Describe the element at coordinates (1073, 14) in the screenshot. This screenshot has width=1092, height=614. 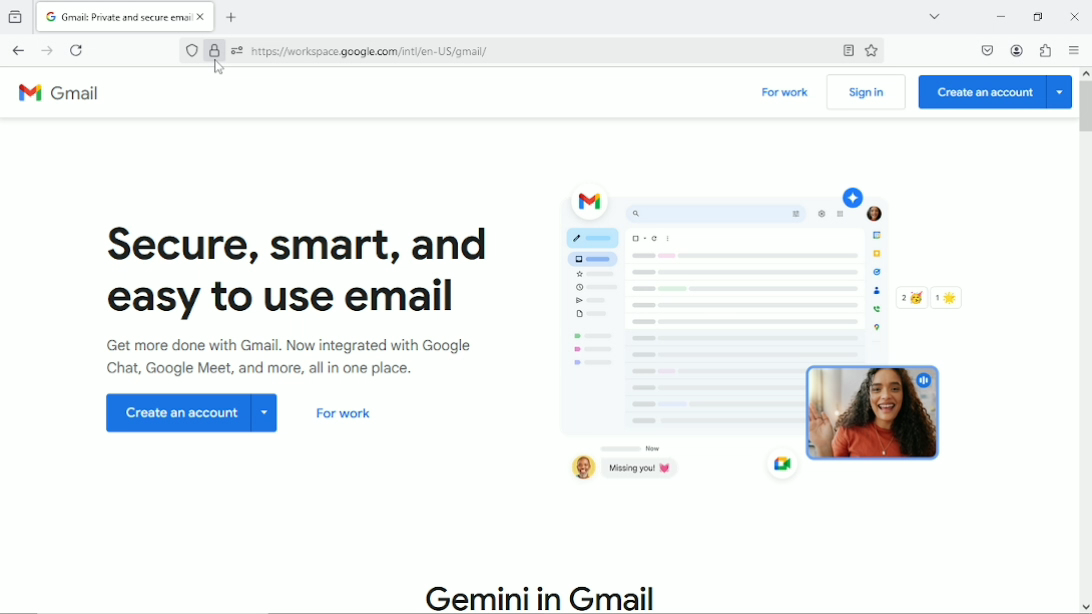
I see `Close` at that location.